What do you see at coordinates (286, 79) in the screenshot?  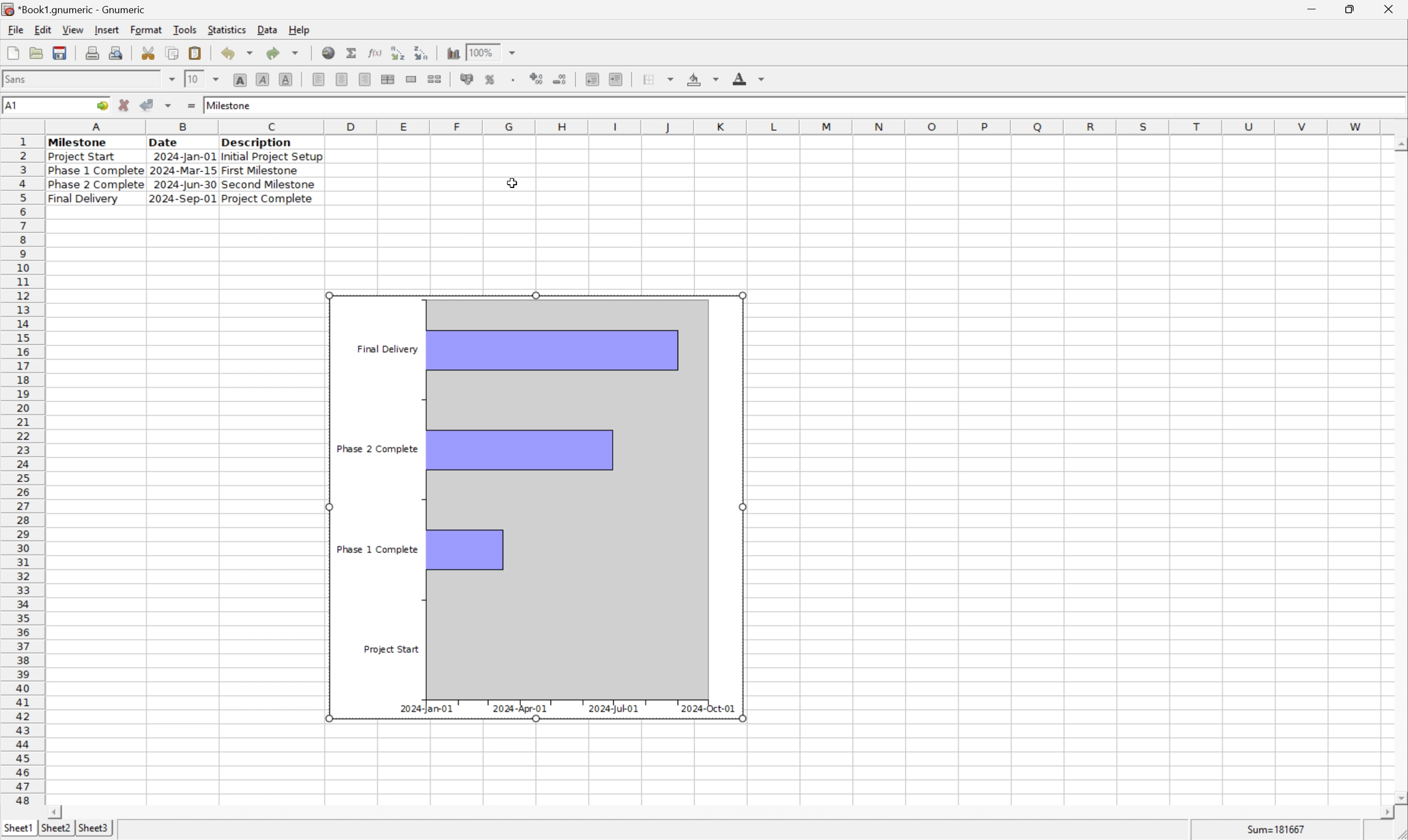 I see `underline` at bounding box center [286, 79].